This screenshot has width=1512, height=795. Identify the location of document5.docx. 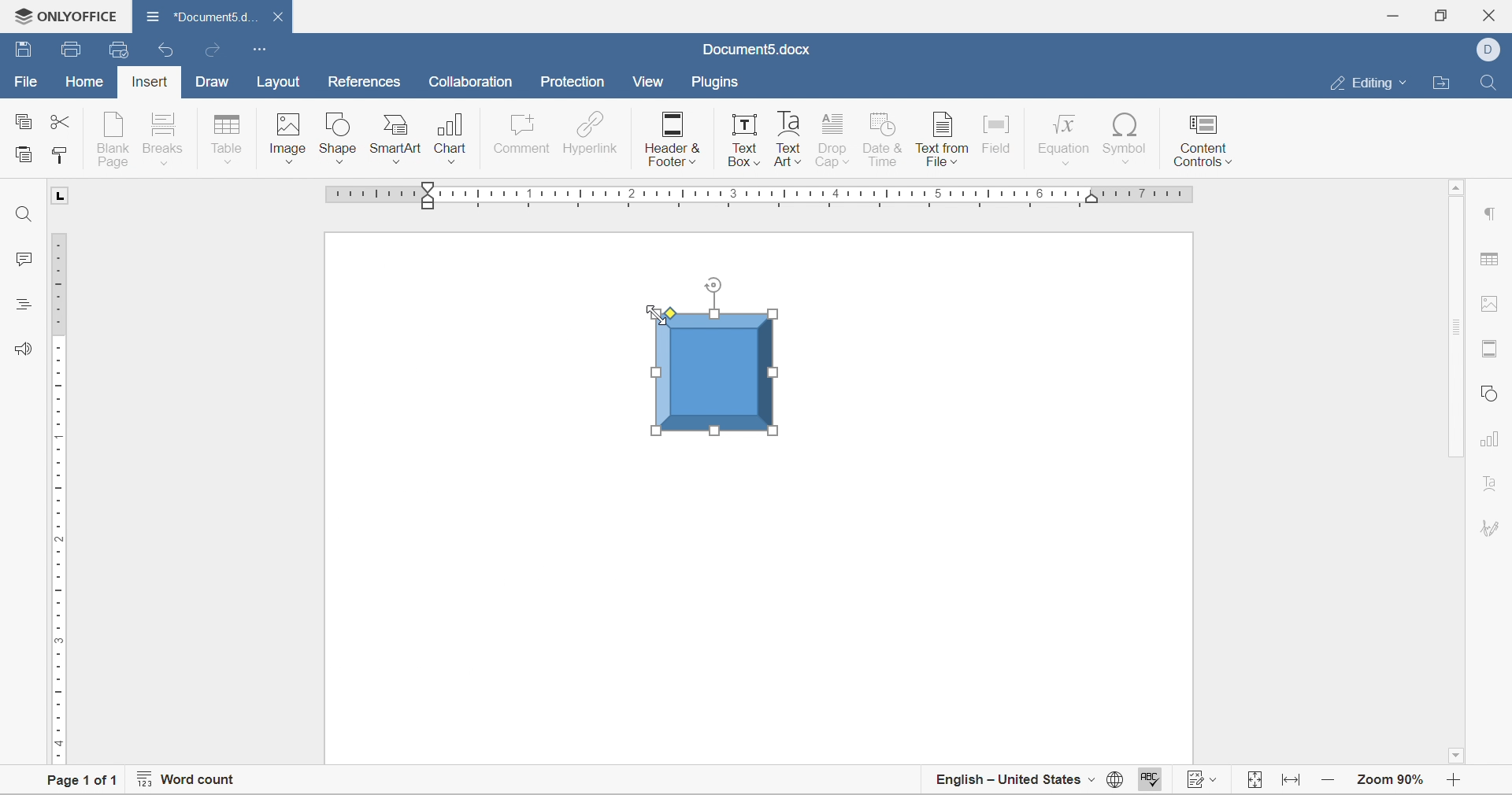
(753, 48).